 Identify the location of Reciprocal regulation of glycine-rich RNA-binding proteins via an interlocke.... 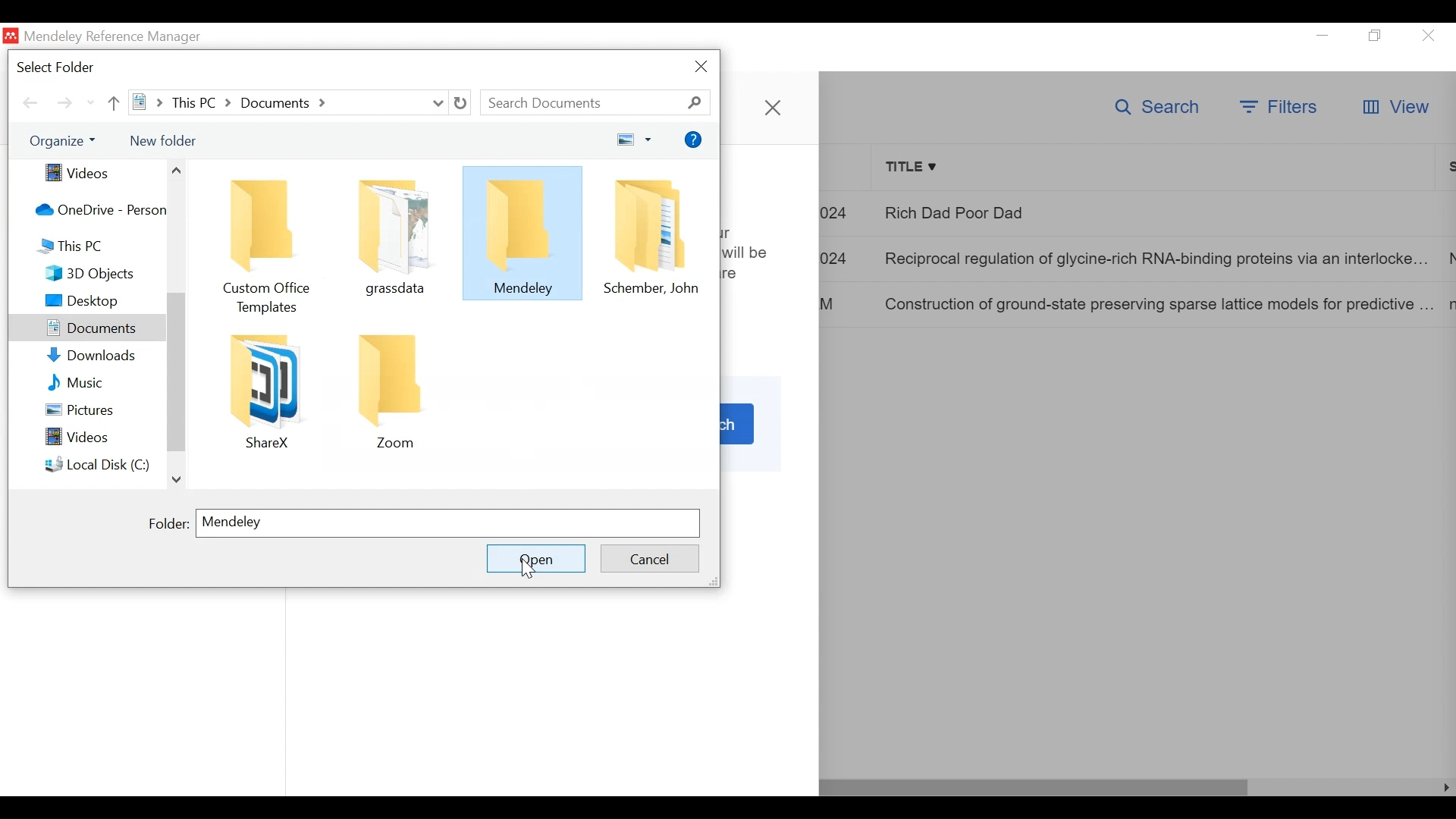
(1153, 259).